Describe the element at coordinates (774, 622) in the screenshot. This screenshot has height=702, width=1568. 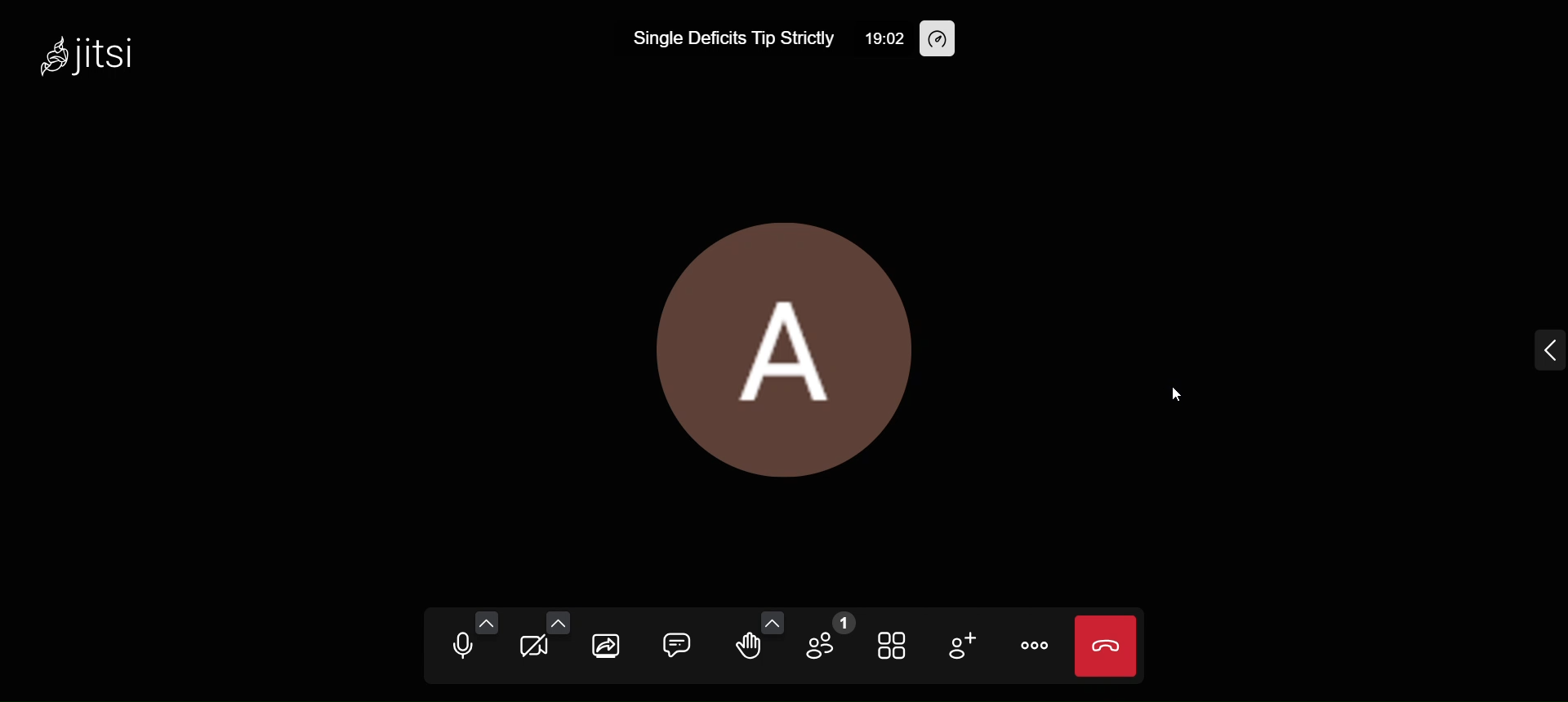
I see `more emoji option` at that location.